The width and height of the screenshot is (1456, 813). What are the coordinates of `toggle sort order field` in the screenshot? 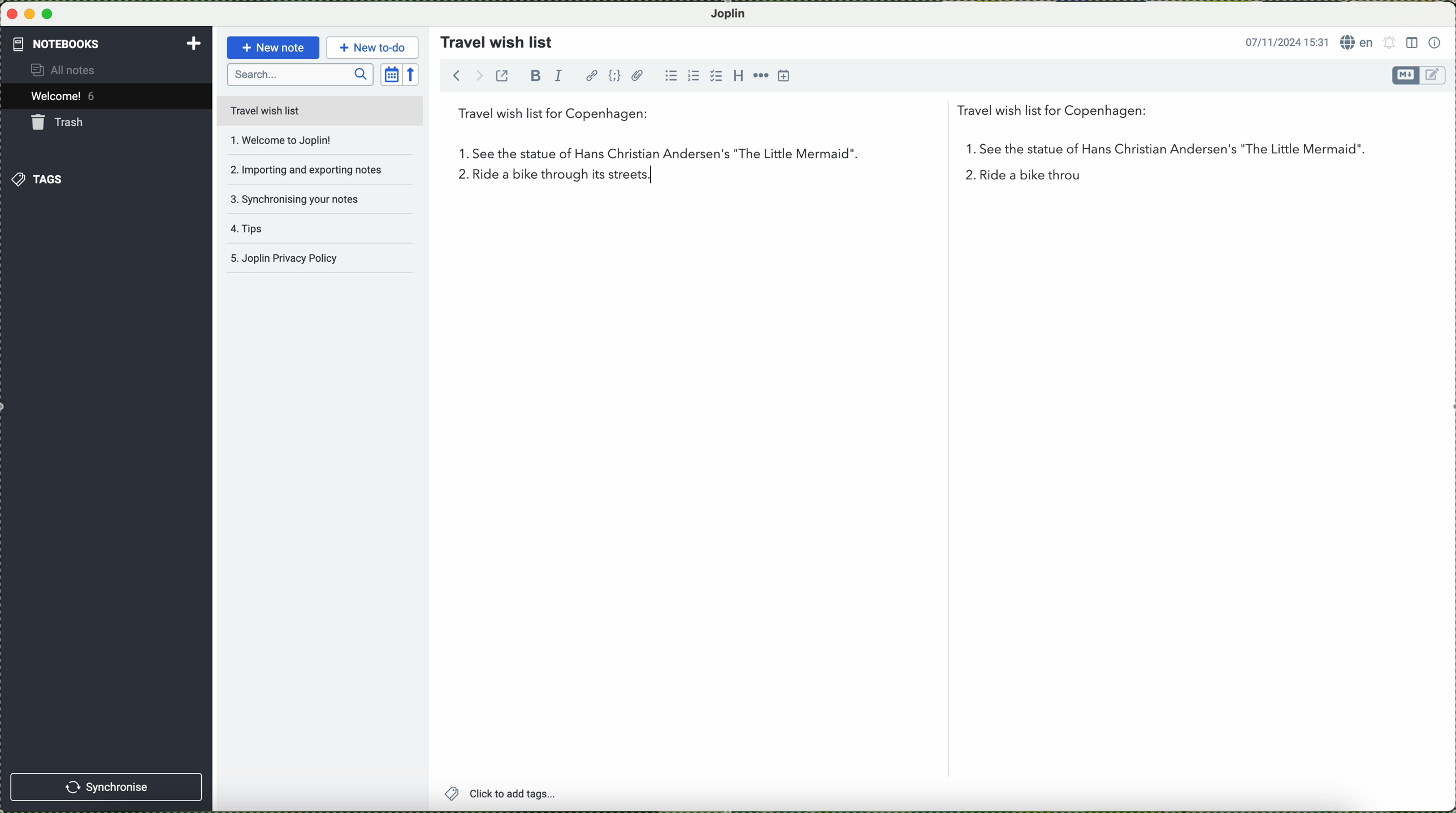 It's located at (391, 73).